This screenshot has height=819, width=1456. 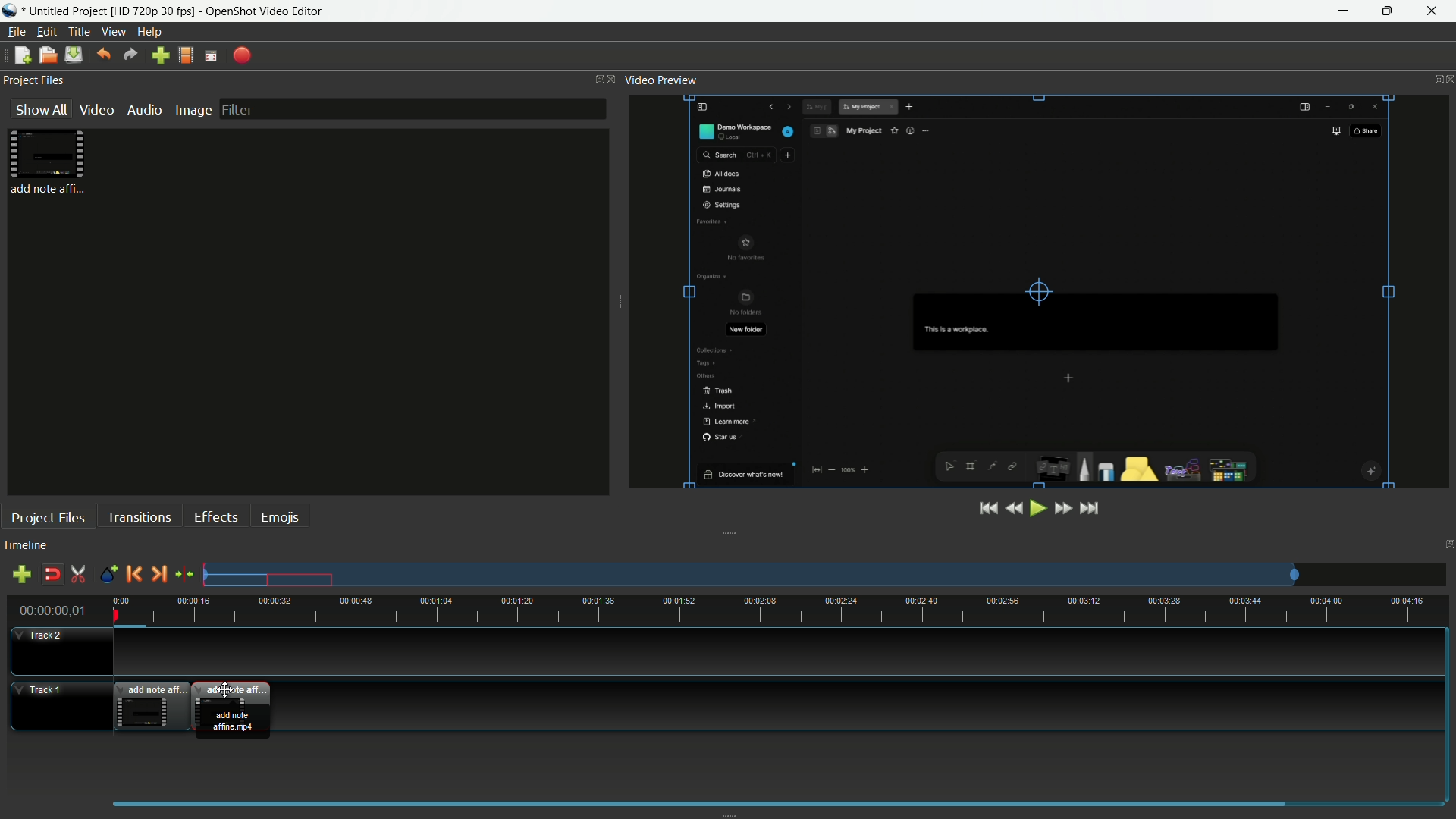 What do you see at coordinates (55, 706) in the screenshot?
I see `track-1` at bounding box center [55, 706].